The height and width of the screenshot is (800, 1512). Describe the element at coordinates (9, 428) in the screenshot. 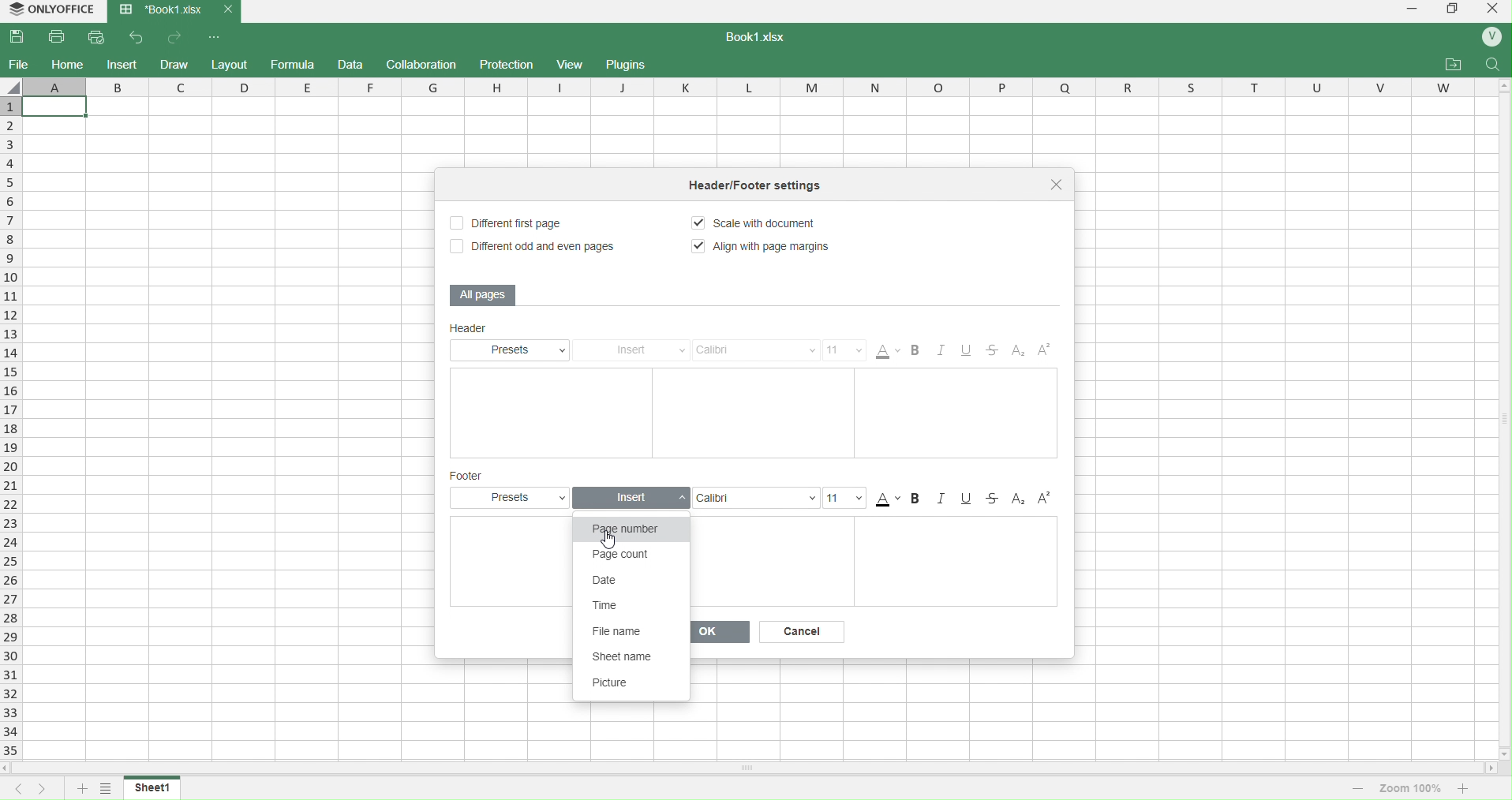

I see `rows` at that location.